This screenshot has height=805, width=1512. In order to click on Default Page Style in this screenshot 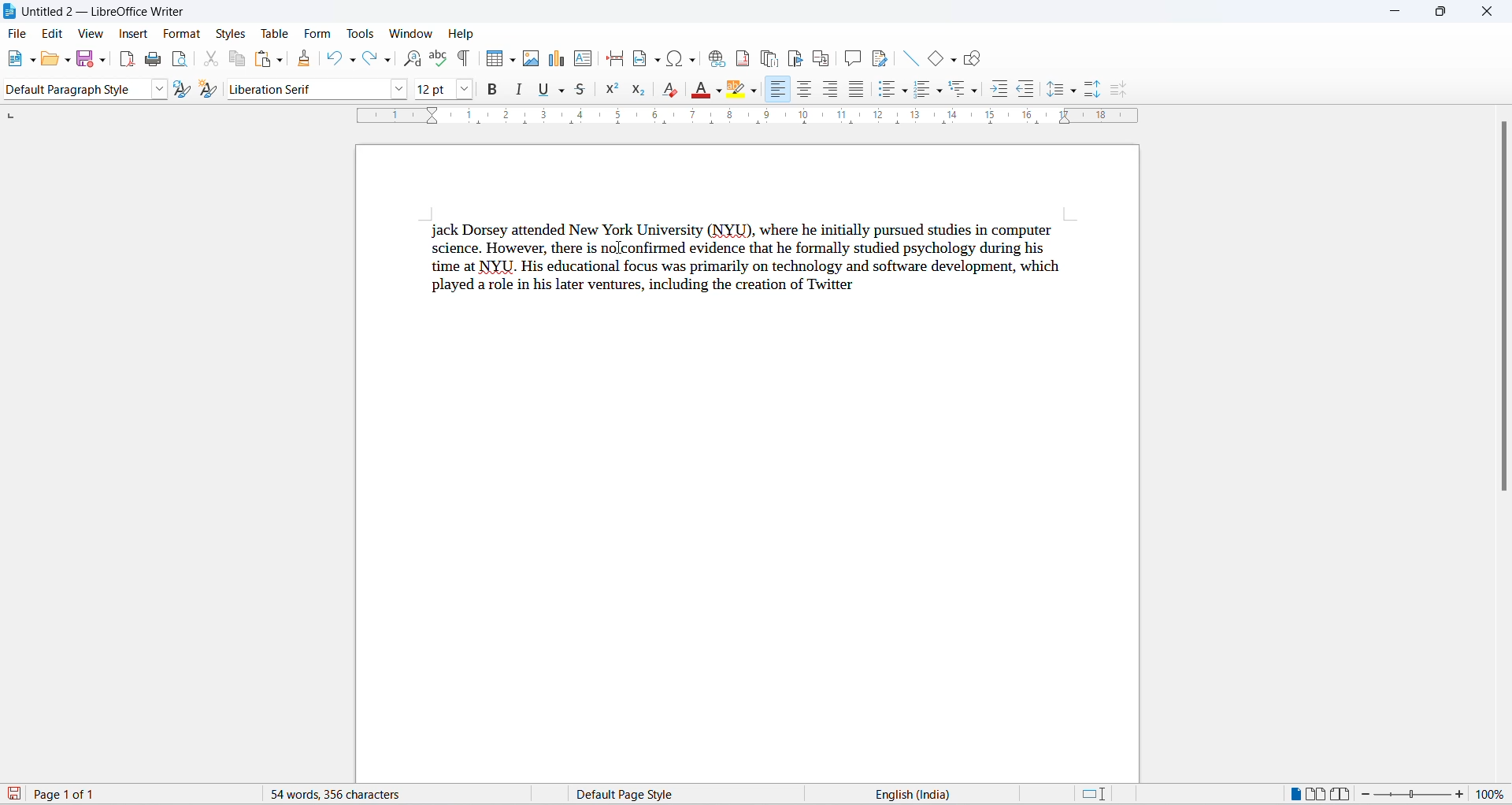, I will do `click(664, 794)`.